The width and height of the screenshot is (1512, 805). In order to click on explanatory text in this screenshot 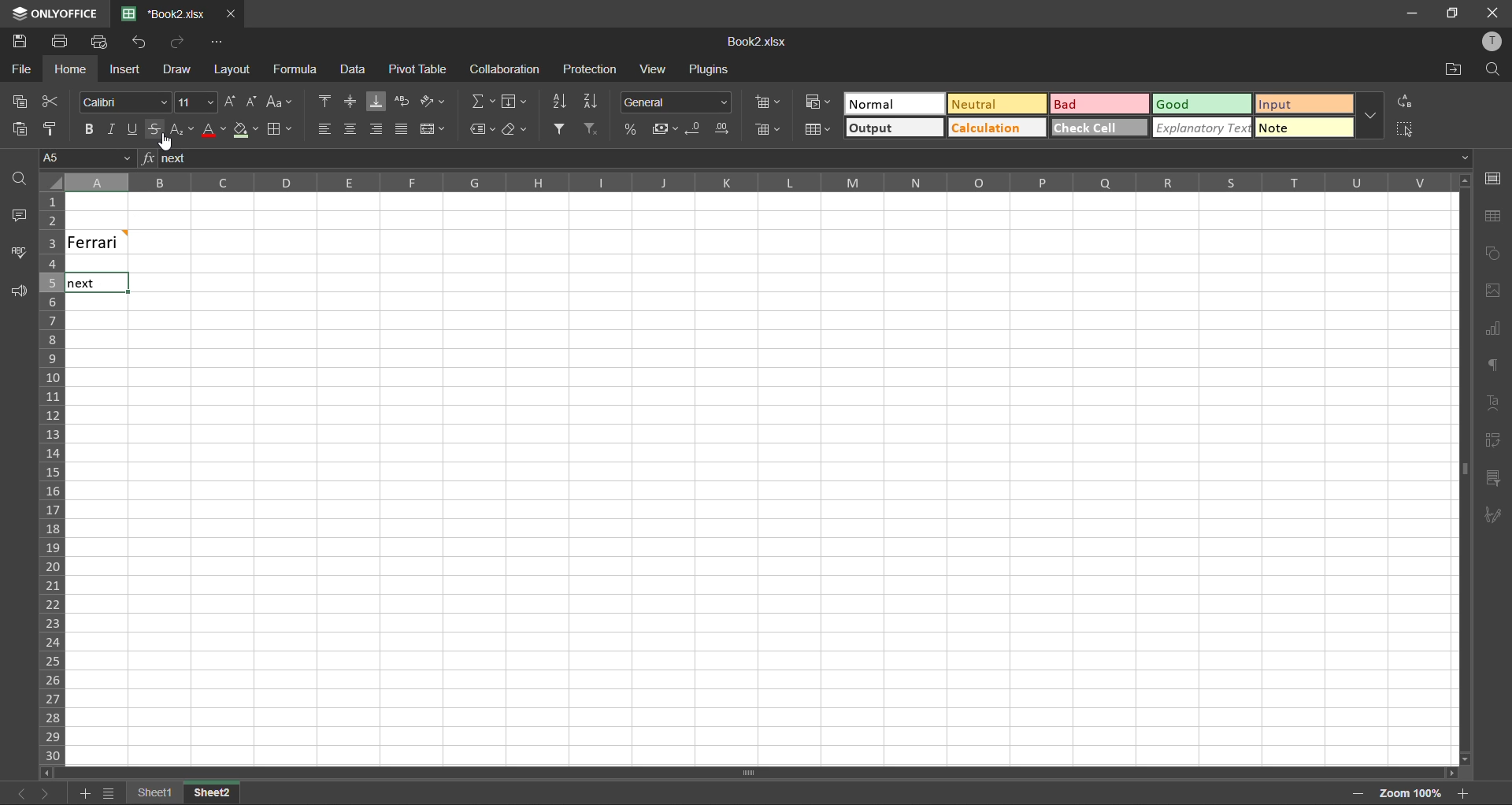, I will do `click(1203, 129)`.